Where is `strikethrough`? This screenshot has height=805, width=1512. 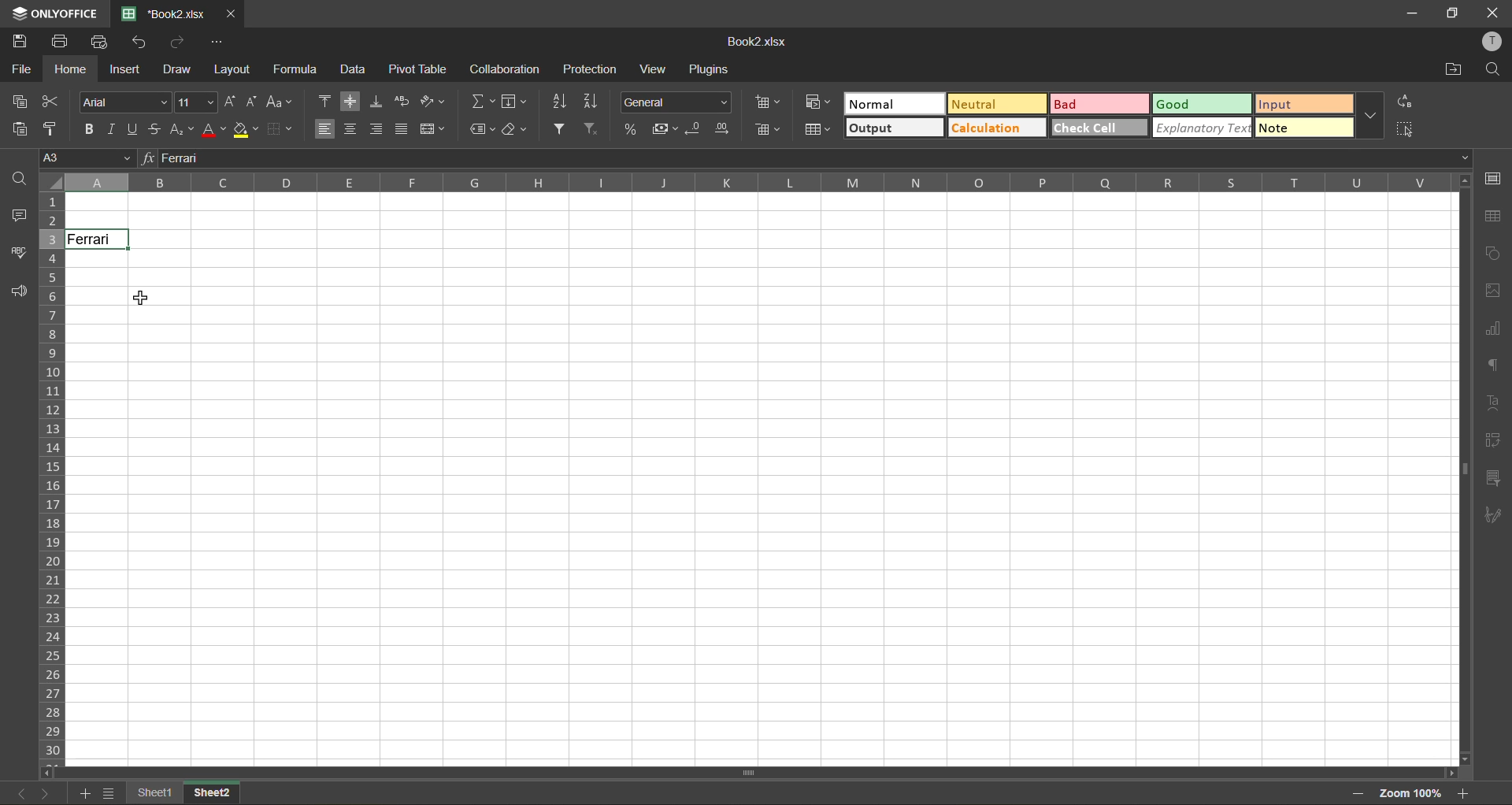
strikethrough is located at coordinates (156, 129).